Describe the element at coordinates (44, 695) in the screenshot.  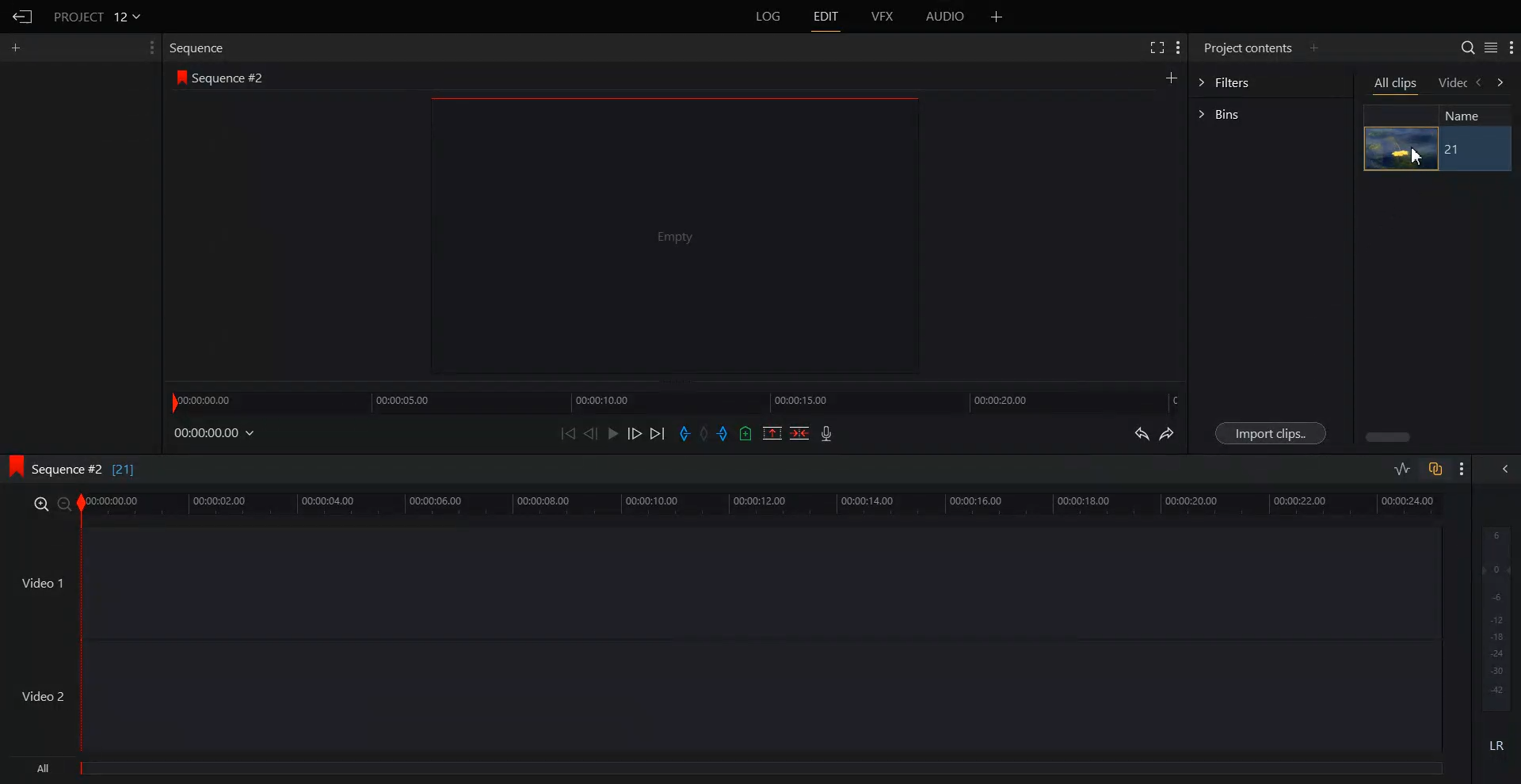
I see `Video 2` at that location.